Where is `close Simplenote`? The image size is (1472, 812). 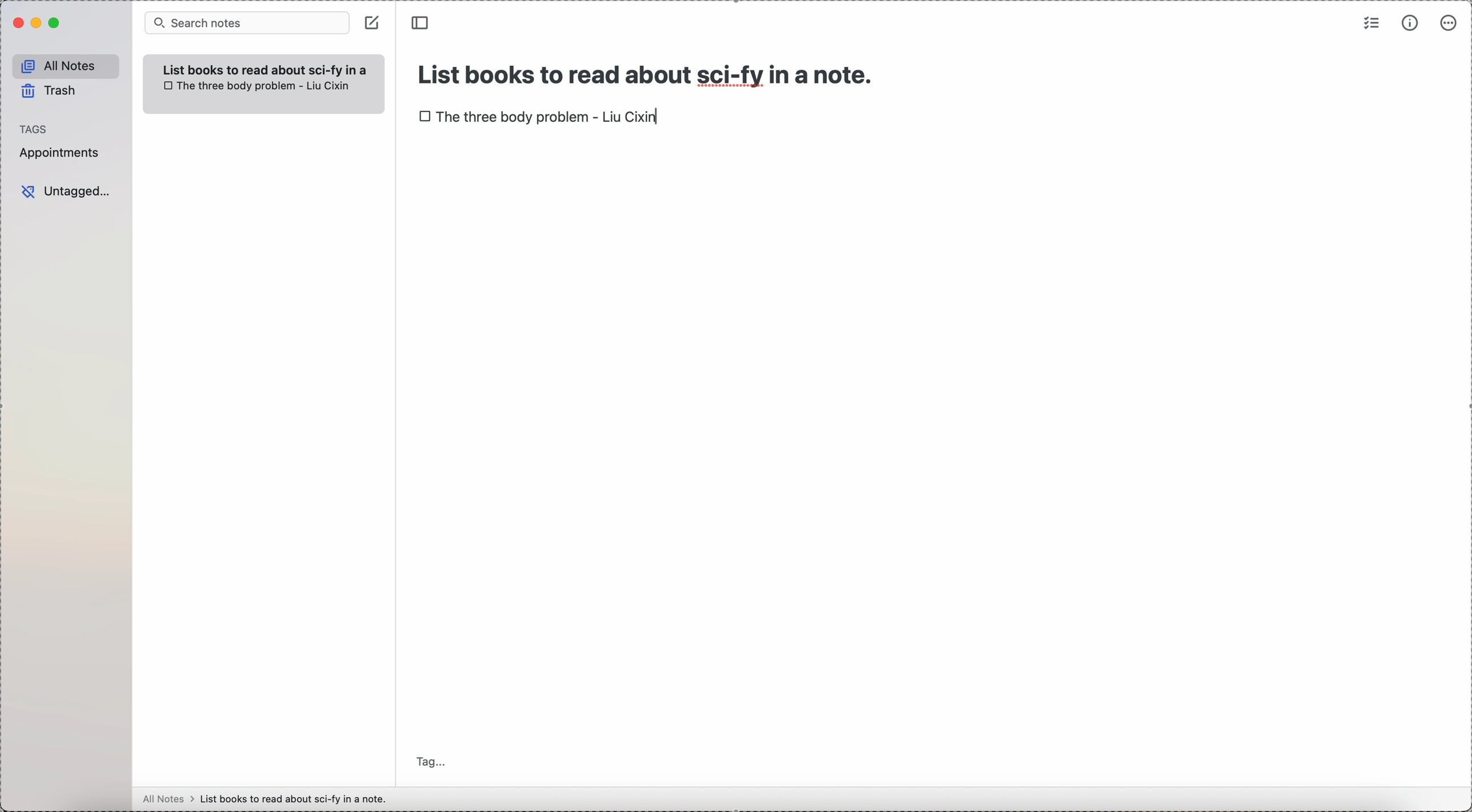 close Simplenote is located at coordinates (16, 23).